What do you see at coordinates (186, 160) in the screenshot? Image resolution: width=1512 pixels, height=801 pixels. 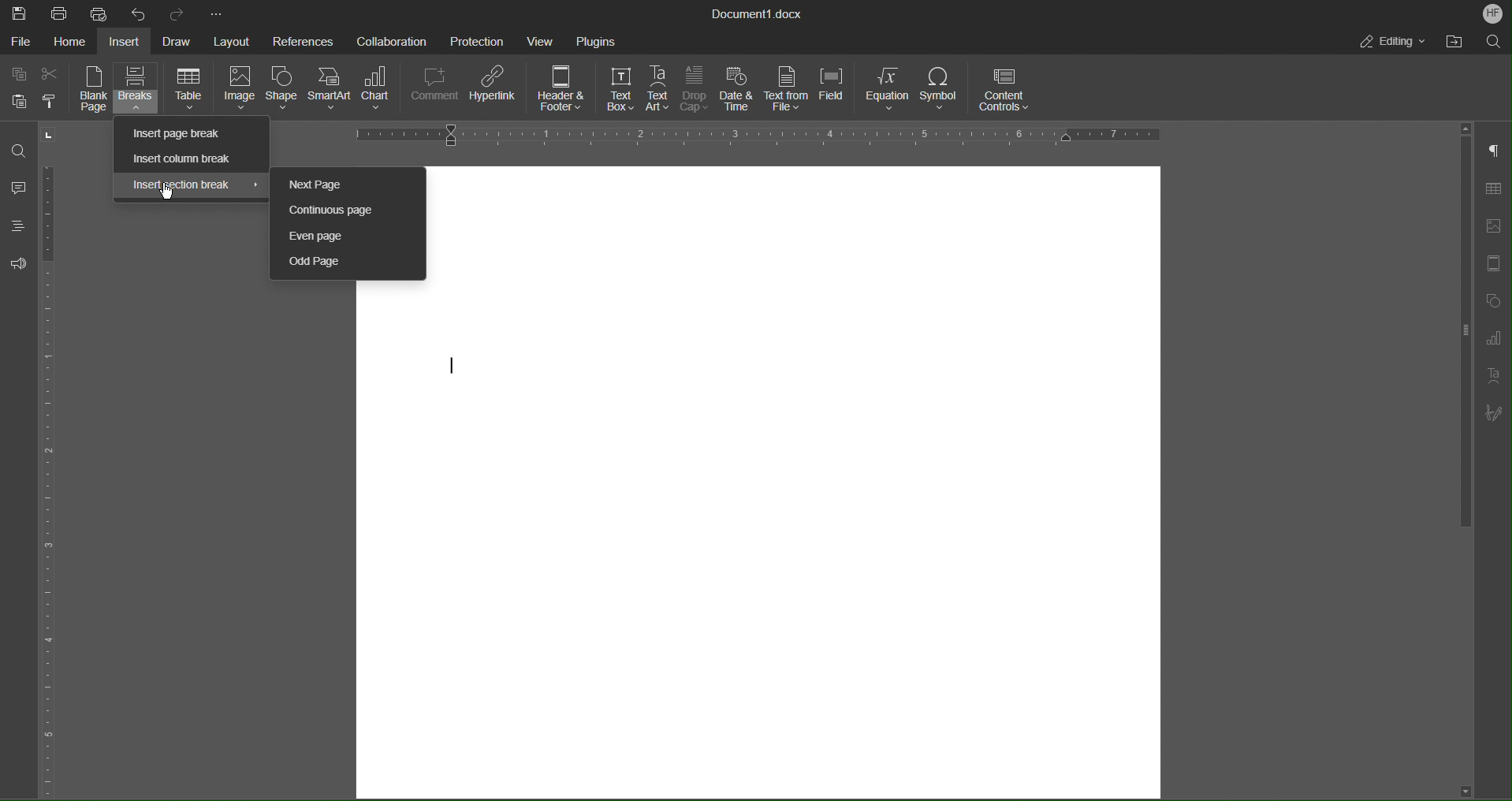 I see `Insert column break` at bounding box center [186, 160].